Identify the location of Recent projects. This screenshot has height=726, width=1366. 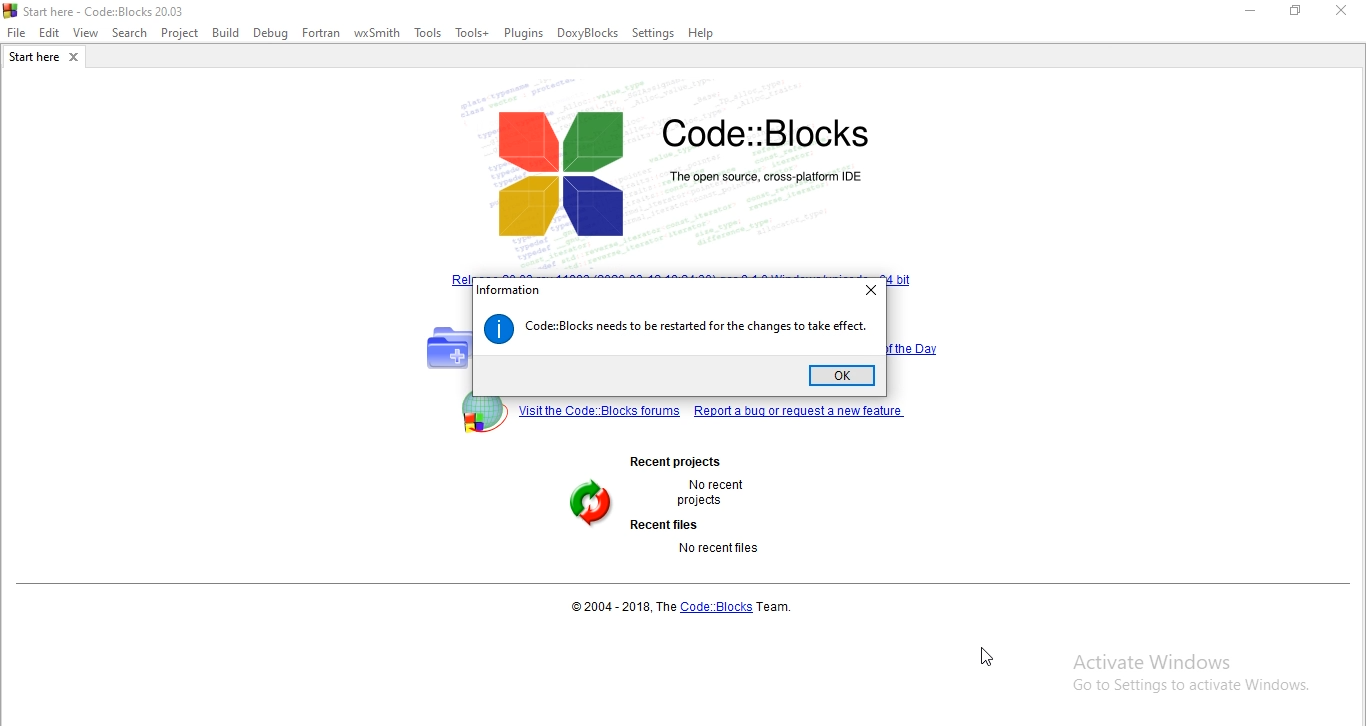
(685, 462).